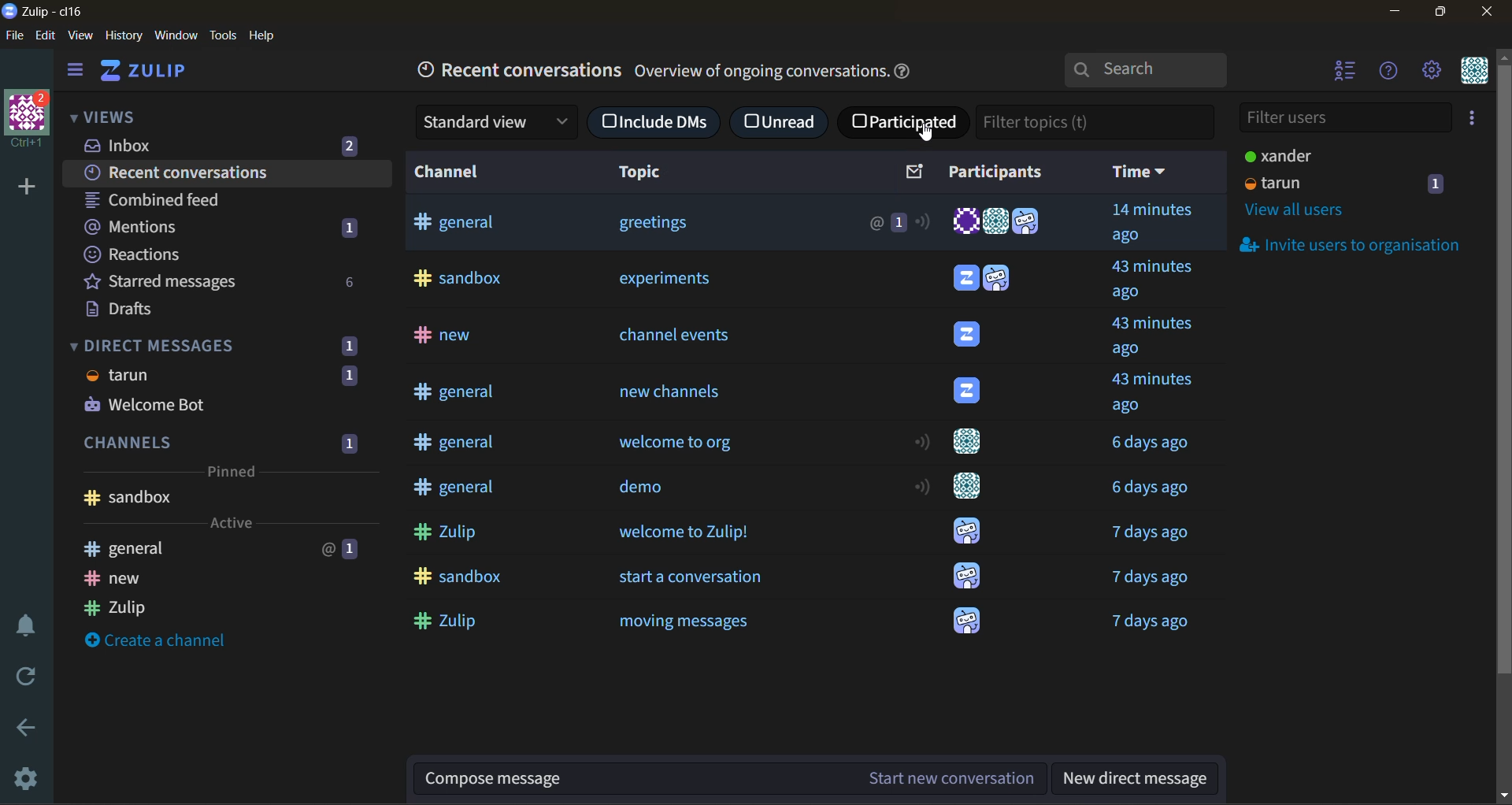 This screenshot has width=1512, height=805. Describe the element at coordinates (1342, 117) in the screenshot. I see `filter users` at that location.